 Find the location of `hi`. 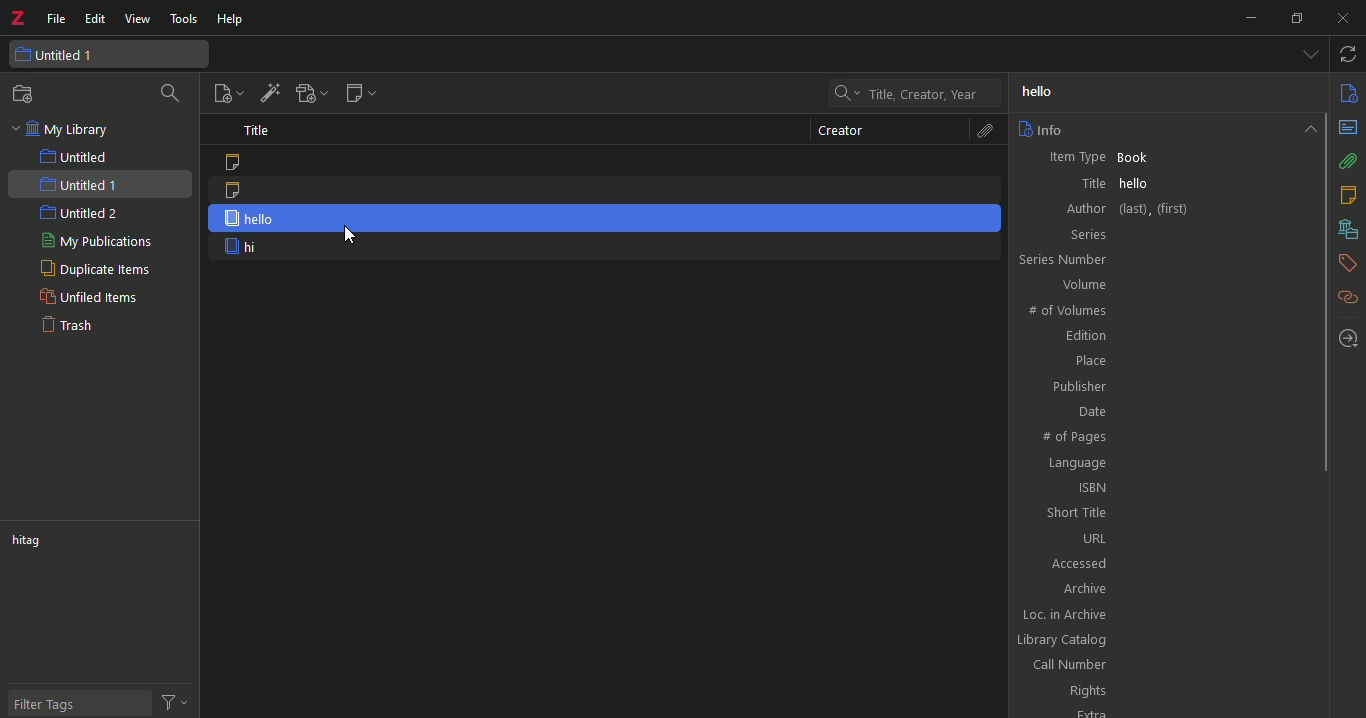

hi is located at coordinates (248, 247).